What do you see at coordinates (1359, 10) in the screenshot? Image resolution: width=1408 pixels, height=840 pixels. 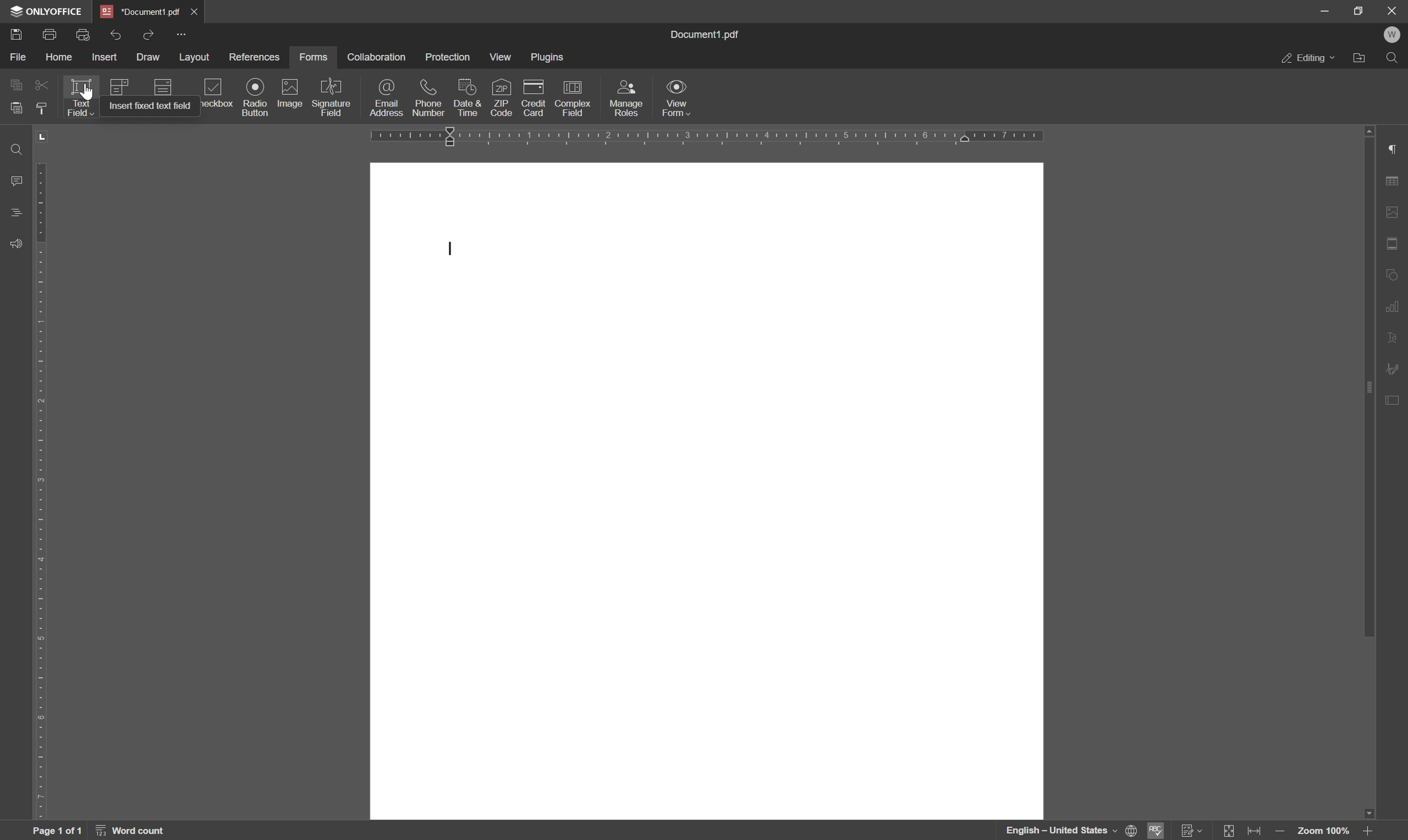 I see `restore down` at bounding box center [1359, 10].